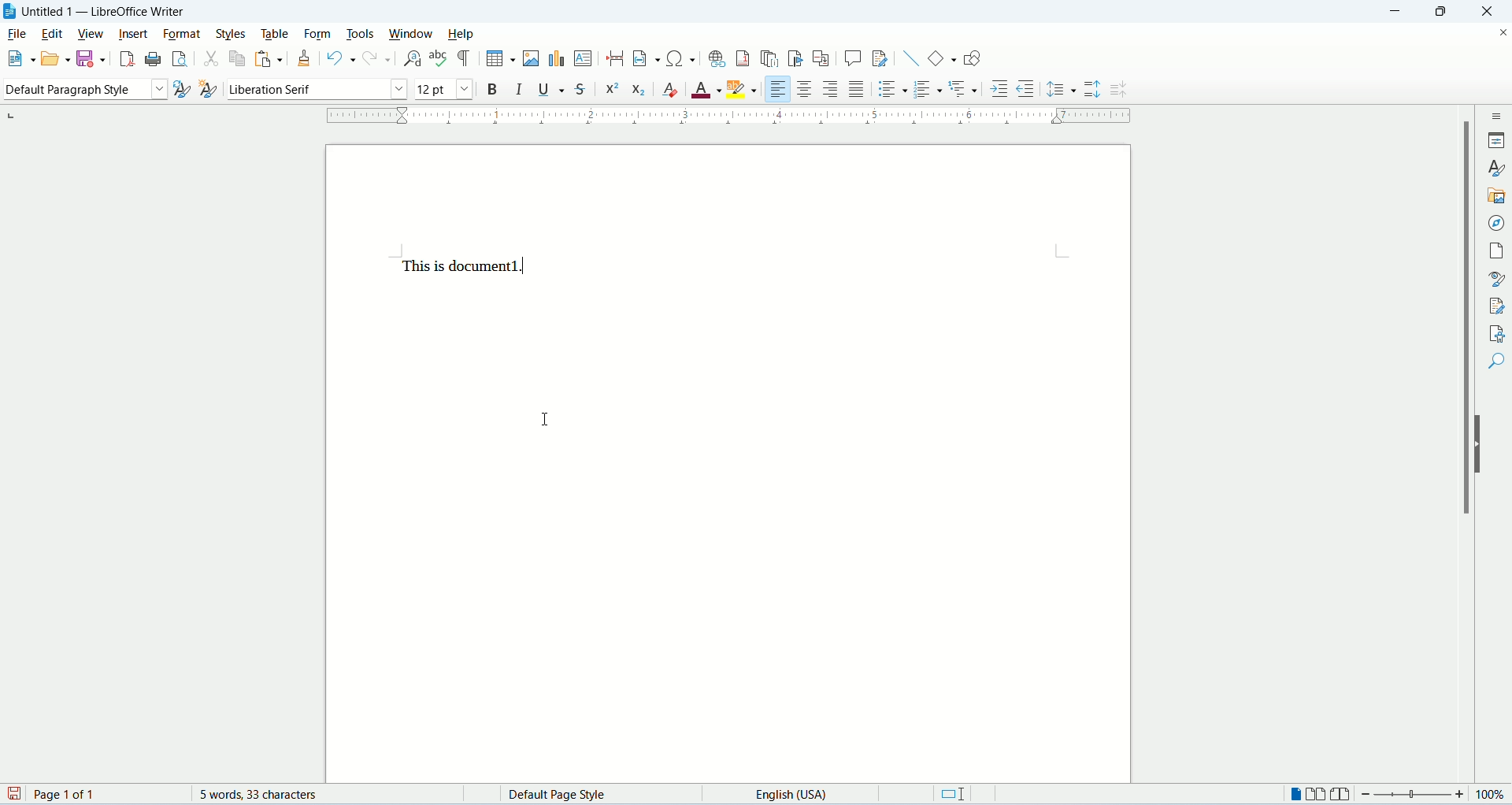 This screenshot has height=805, width=1512. What do you see at coordinates (706, 91) in the screenshot?
I see `font color` at bounding box center [706, 91].